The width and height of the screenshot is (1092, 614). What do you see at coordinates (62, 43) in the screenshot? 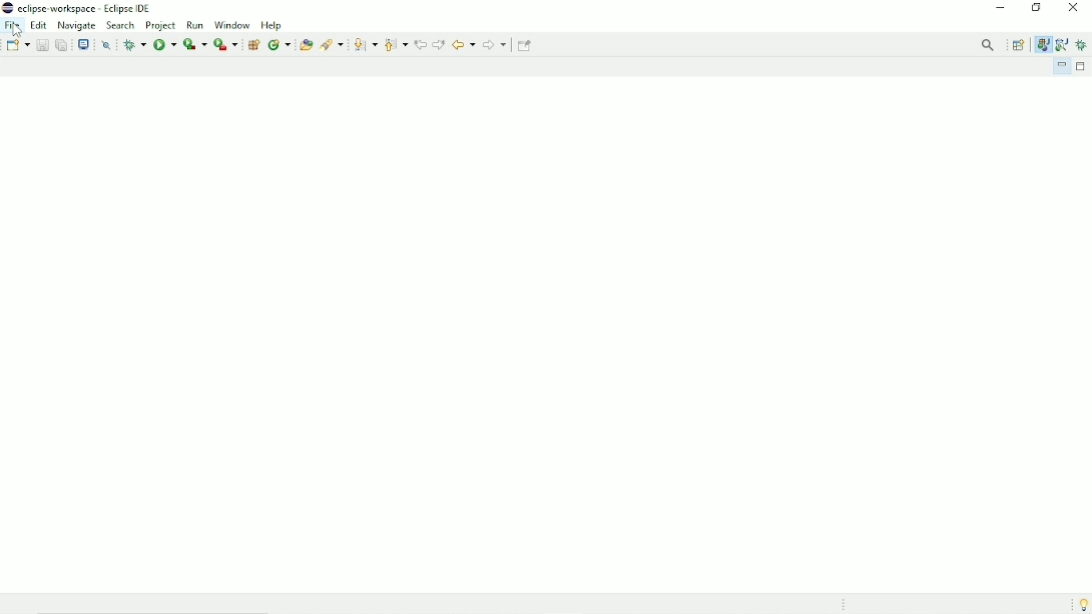
I see `Save all` at bounding box center [62, 43].